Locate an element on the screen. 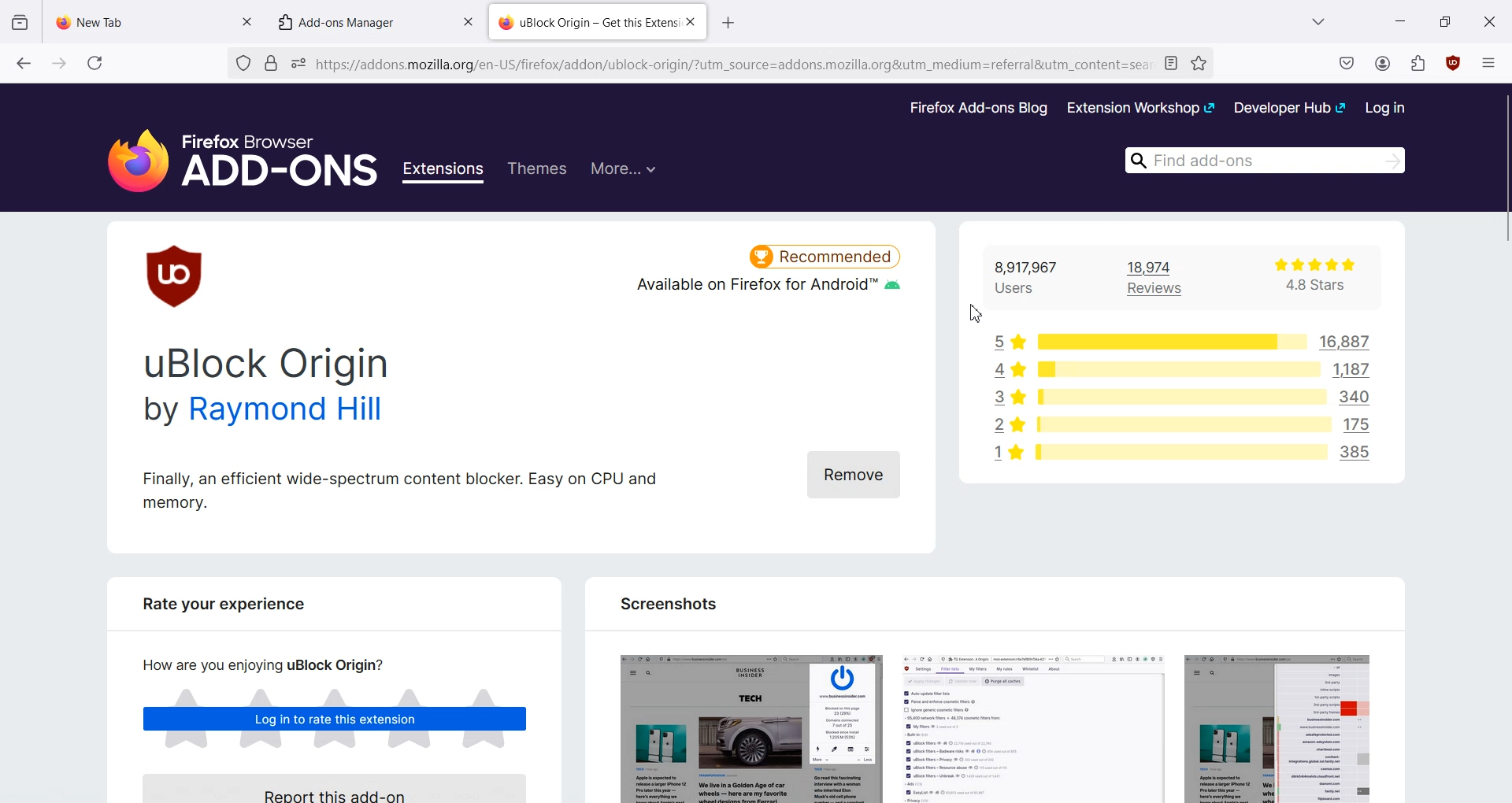 The image size is (1512, 803). Open Application Menu is located at coordinates (1490, 59).